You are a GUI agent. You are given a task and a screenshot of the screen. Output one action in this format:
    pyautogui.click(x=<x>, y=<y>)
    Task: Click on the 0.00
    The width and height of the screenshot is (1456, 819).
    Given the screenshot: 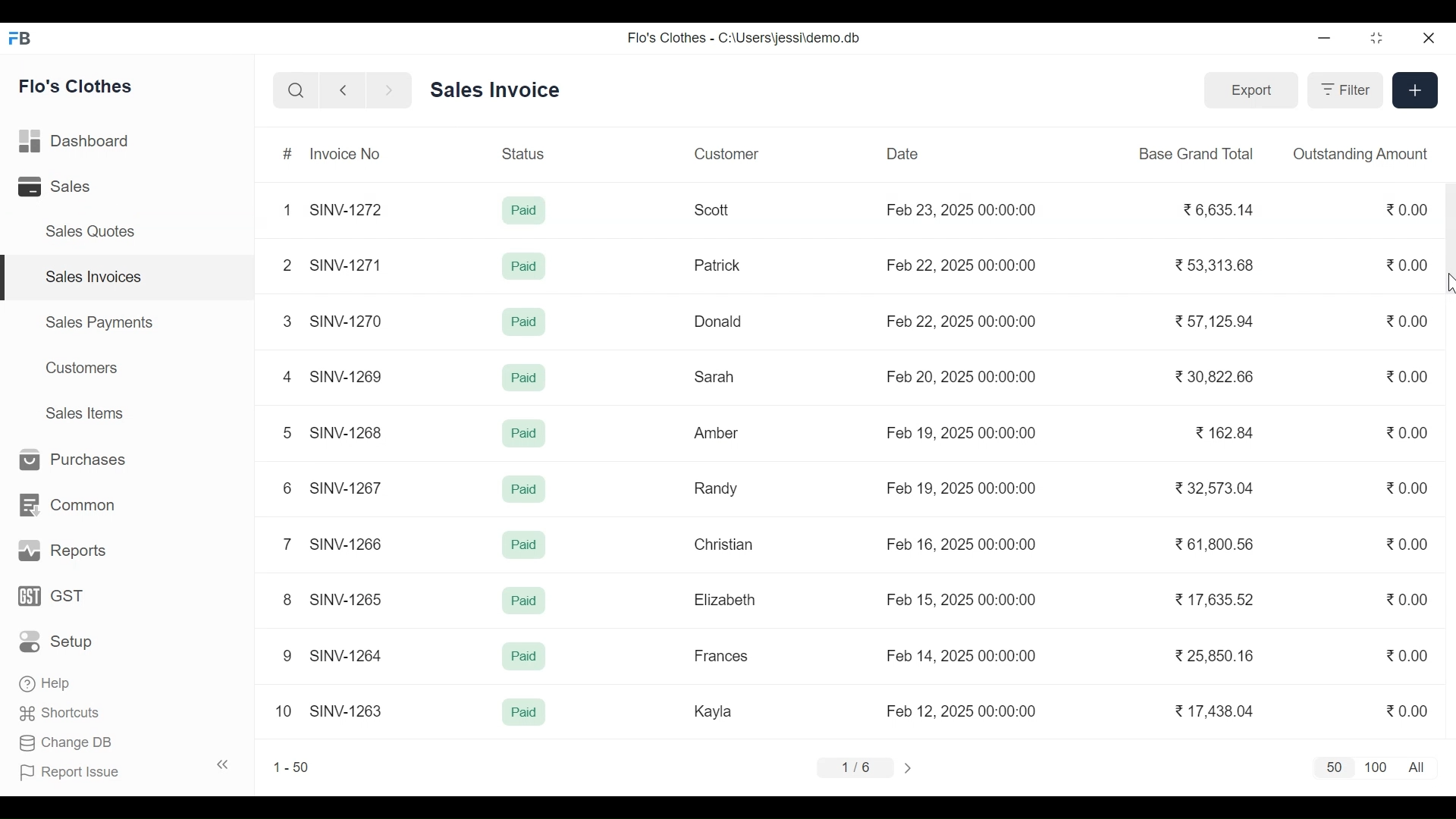 What is the action you would take?
    pyautogui.click(x=1408, y=433)
    